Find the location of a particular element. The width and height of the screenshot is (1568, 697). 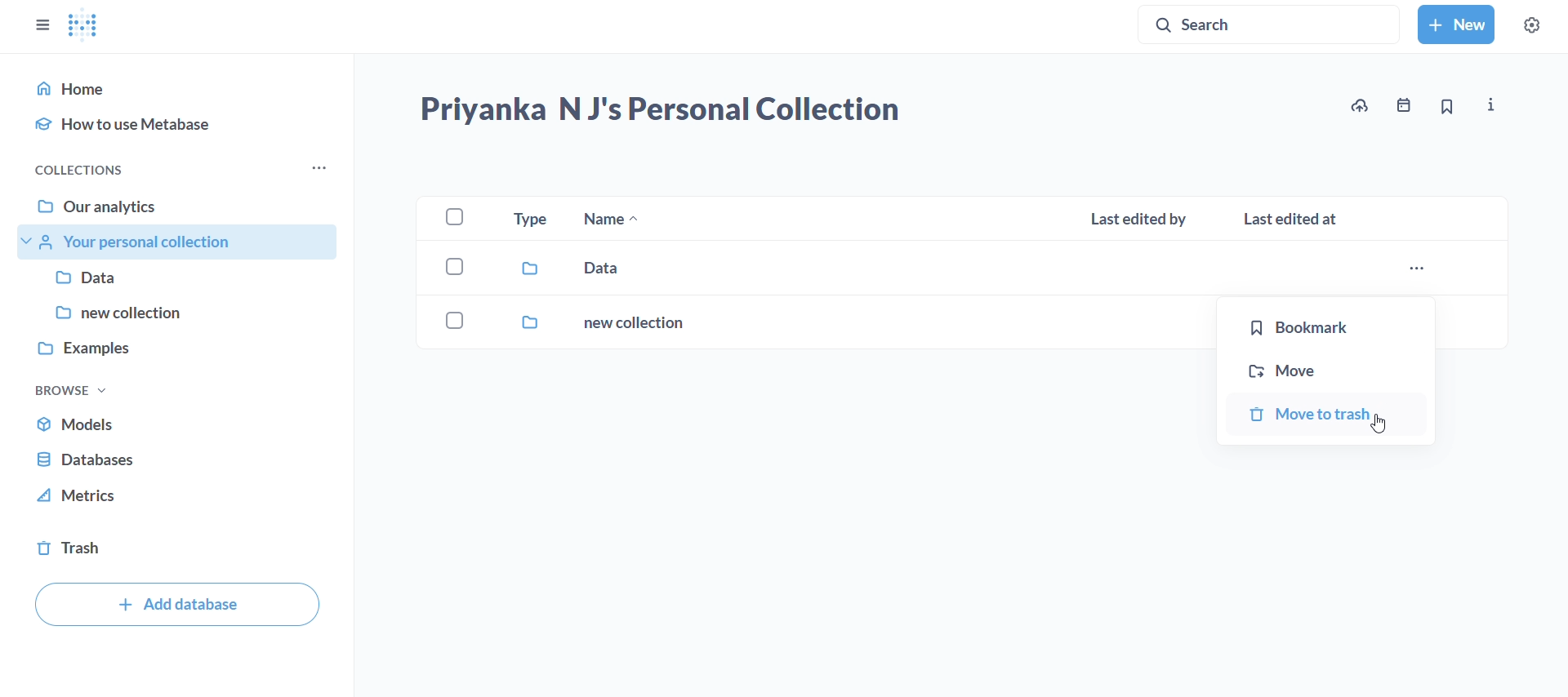

settings is located at coordinates (1532, 23).